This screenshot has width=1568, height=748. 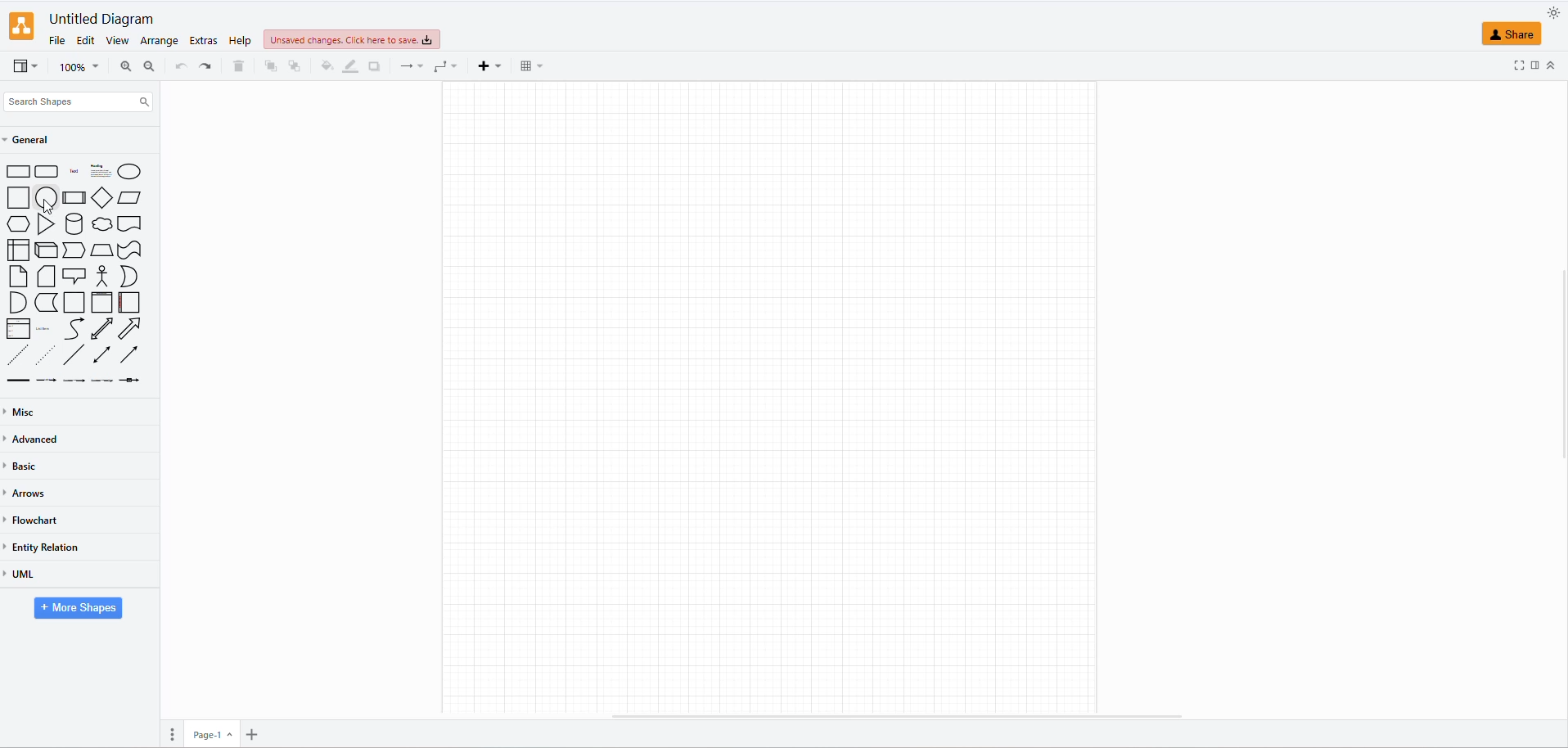 What do you see at coordinates (1554, 12) in the screenshot?
I see `APPEARANCE` at bounding box center [1554, 12].